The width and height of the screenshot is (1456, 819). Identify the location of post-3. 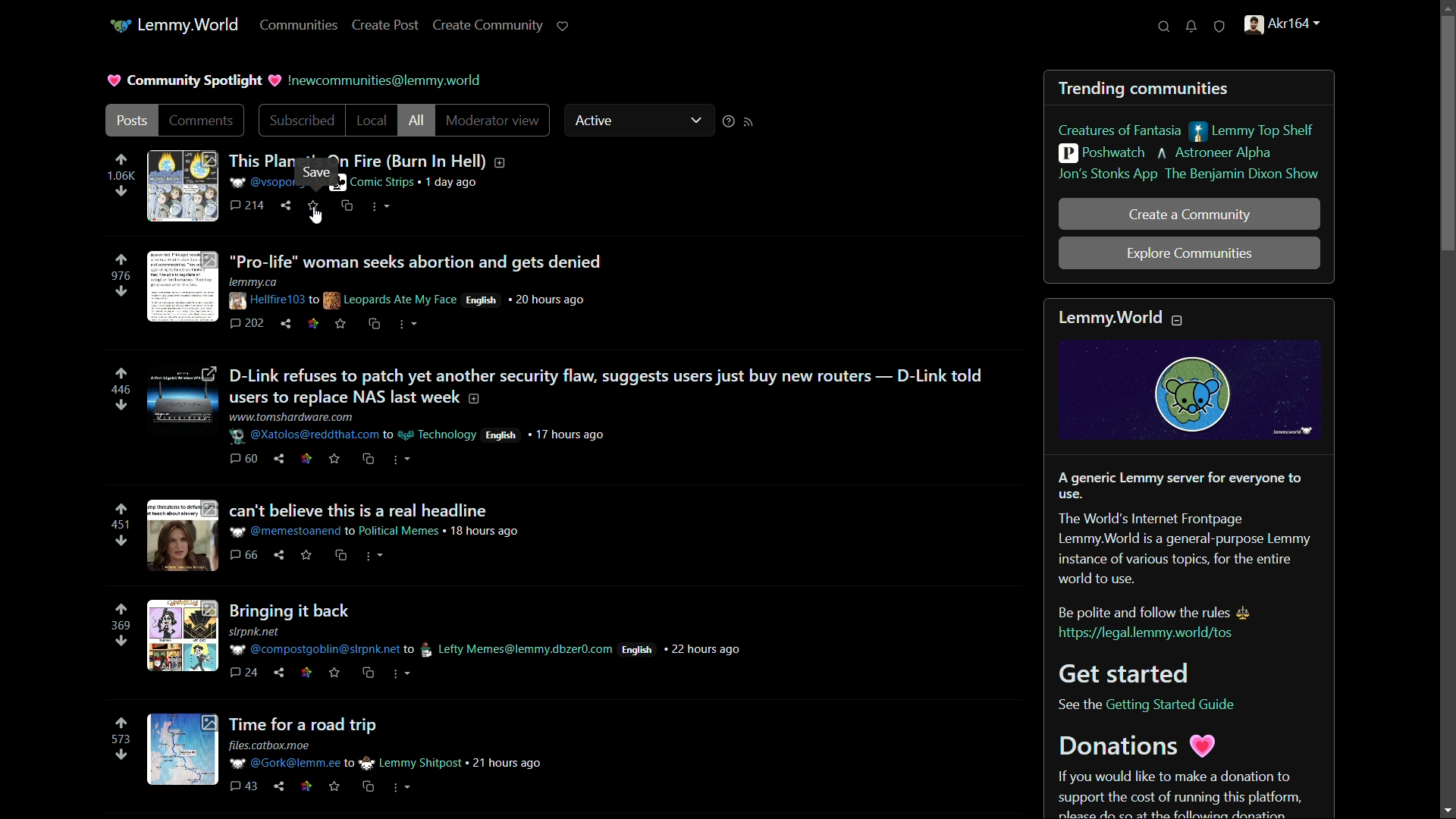
(570, 416).